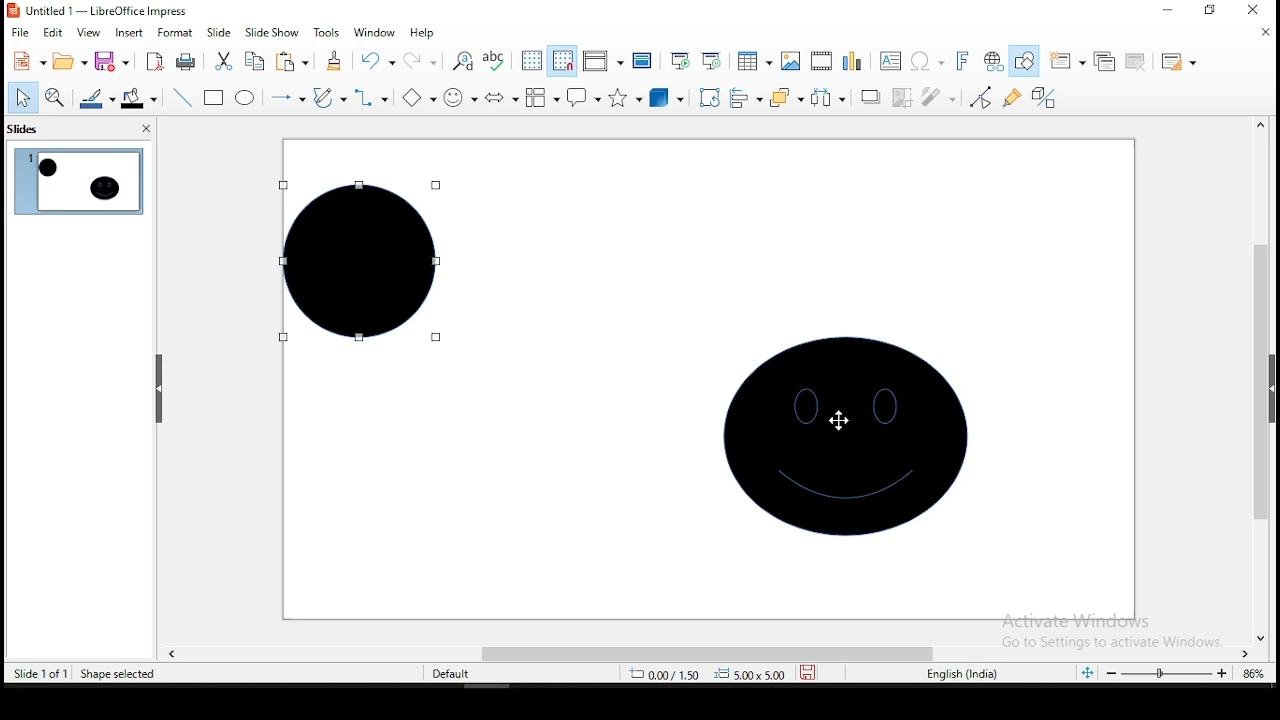 This screenshot has width=1280, height=720. Describe the element at coordinates (219, 32) in the screenshot. I see `slide` at that location.